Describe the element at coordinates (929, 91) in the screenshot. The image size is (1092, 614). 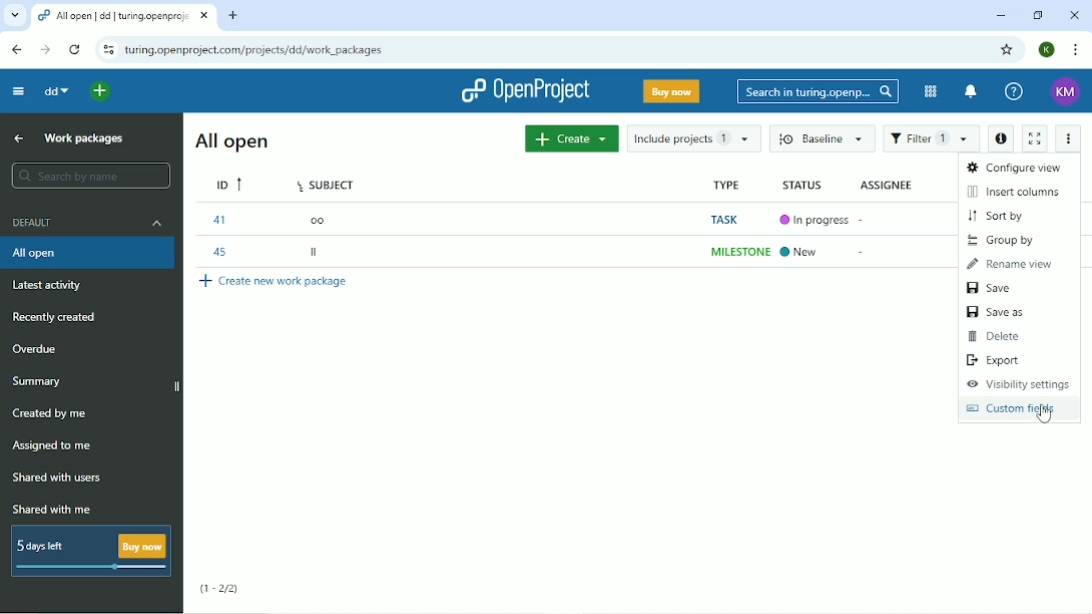
I see `modules` at that location.